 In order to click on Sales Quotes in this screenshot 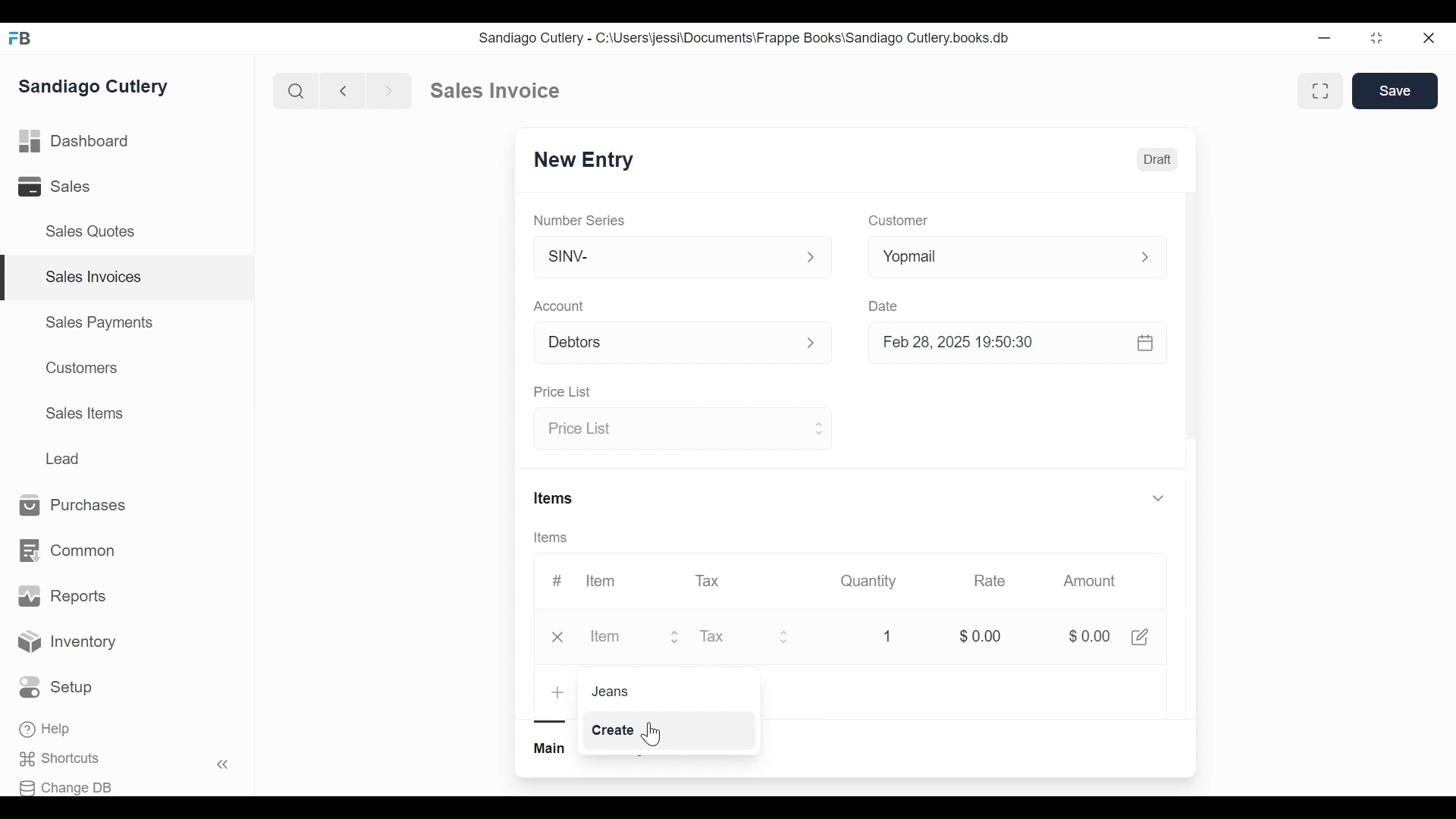, I will do `click(96, 232)`.